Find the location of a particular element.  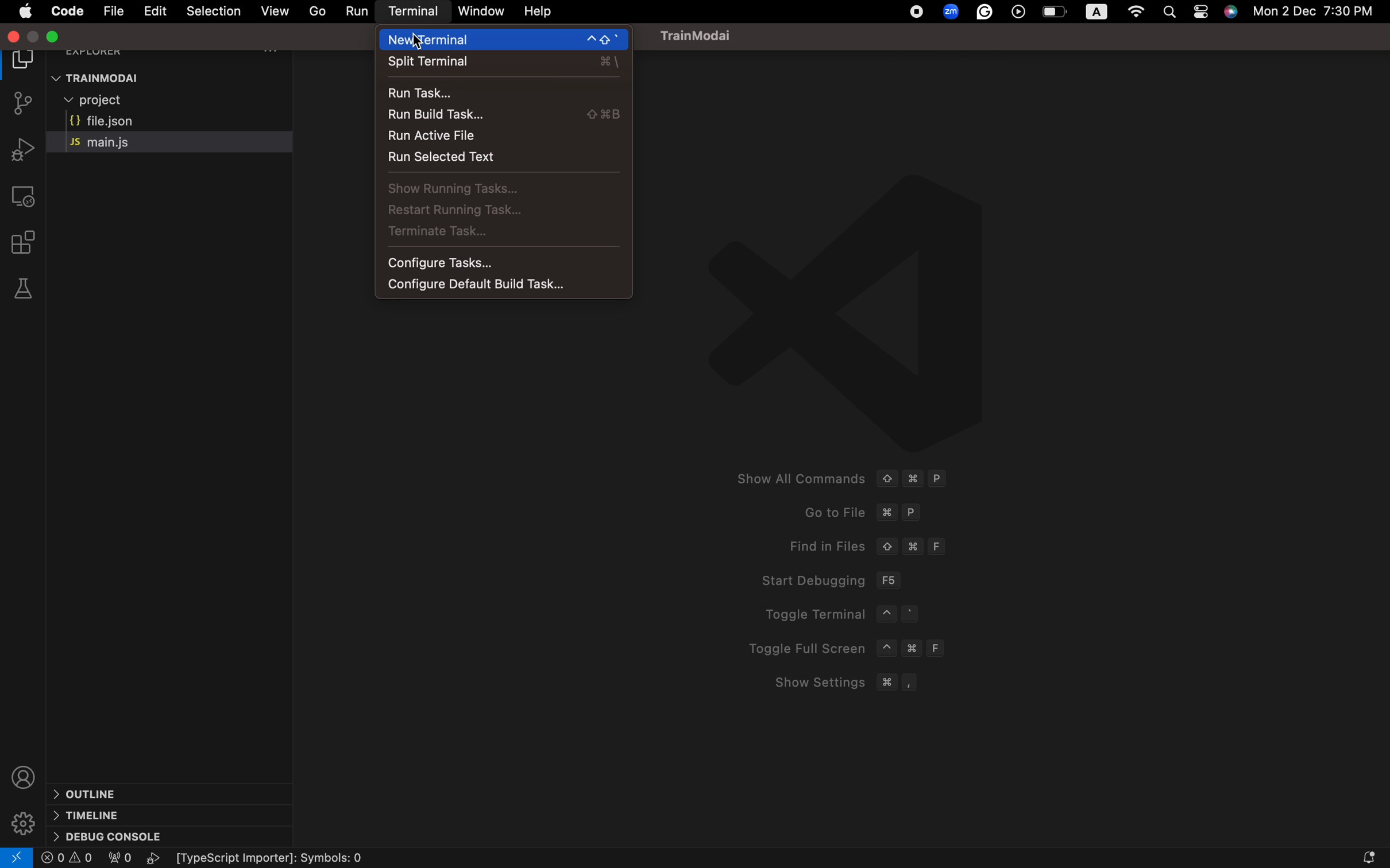

play is located at coordinates (1020, 13).